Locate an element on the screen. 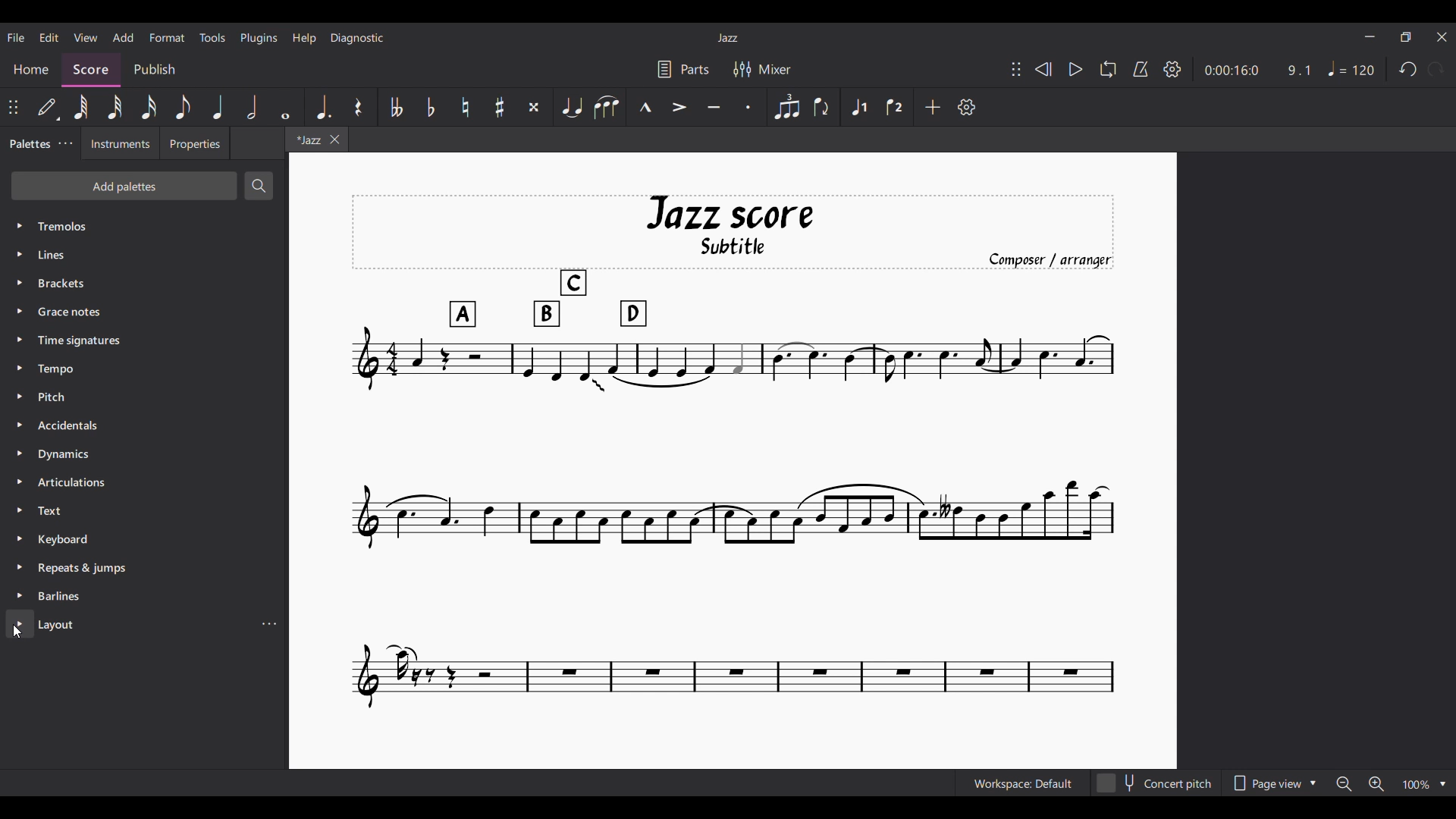 The width and height of the screenshot is (1456, 819). Add is located at coordinates (932, 107).